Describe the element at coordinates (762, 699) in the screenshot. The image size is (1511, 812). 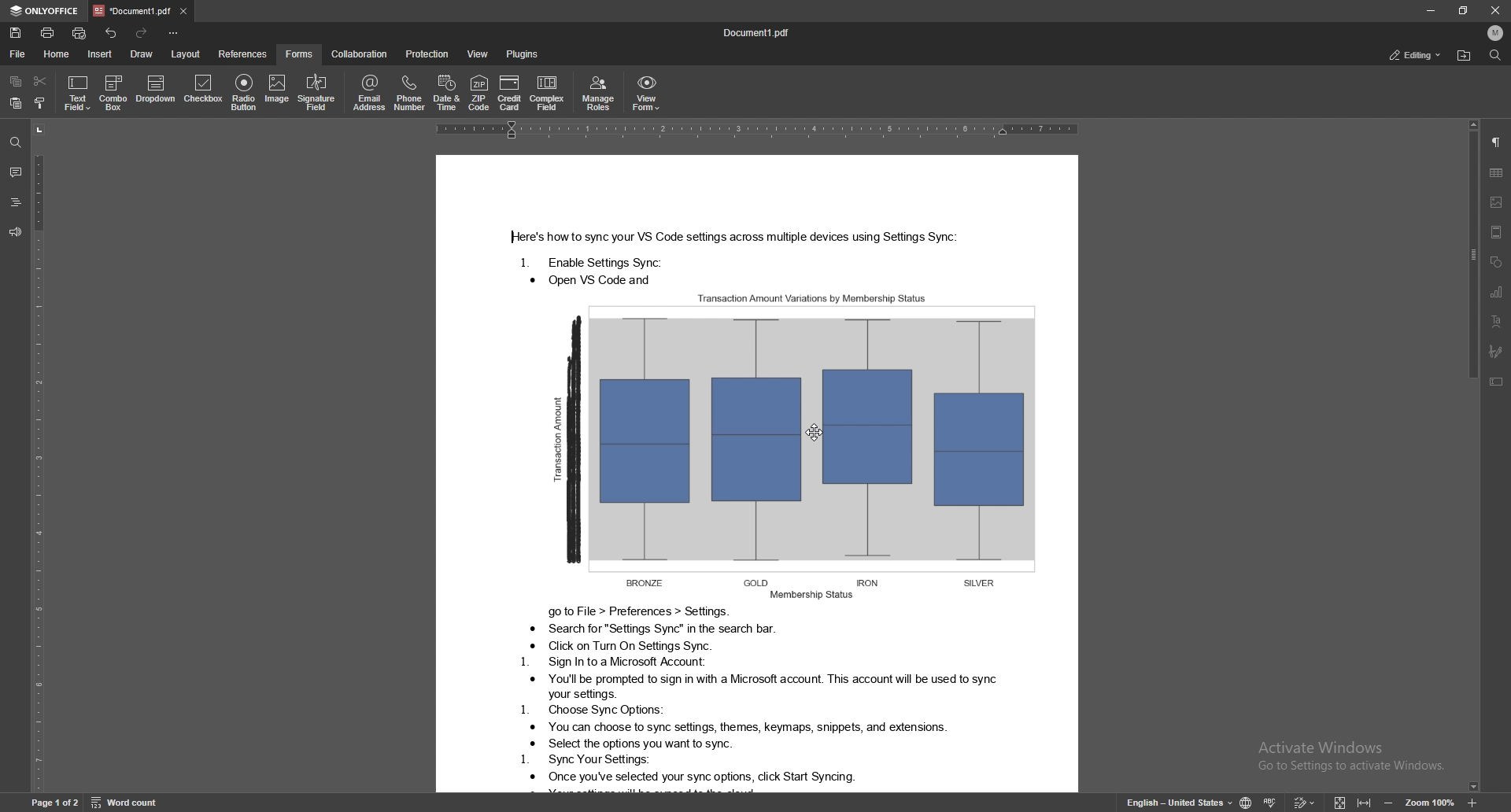
I see `Text` at that location.